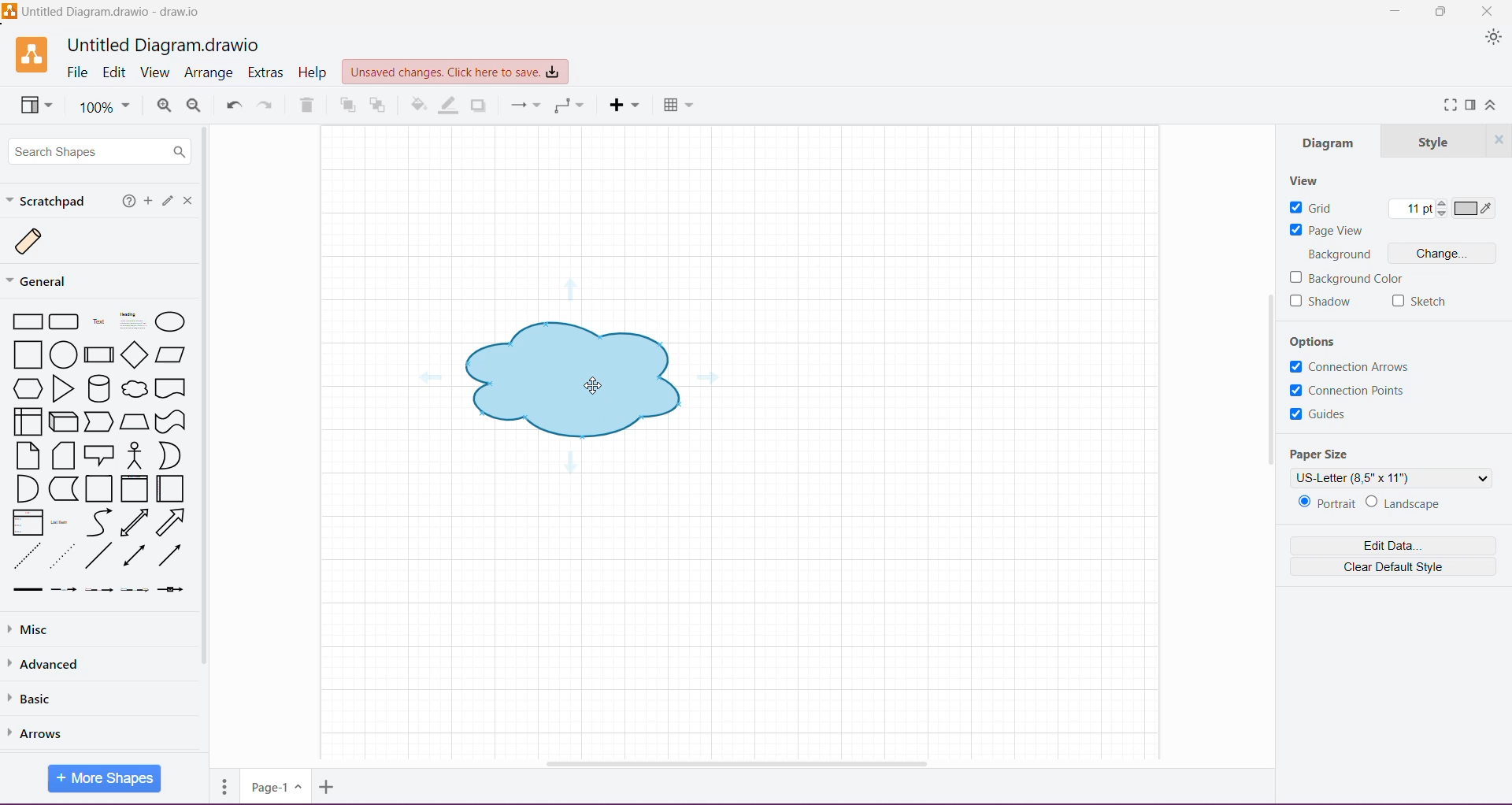  Describe the element at coordinates (329, 786) in the screenshot. I see `Insert Page` at that location.